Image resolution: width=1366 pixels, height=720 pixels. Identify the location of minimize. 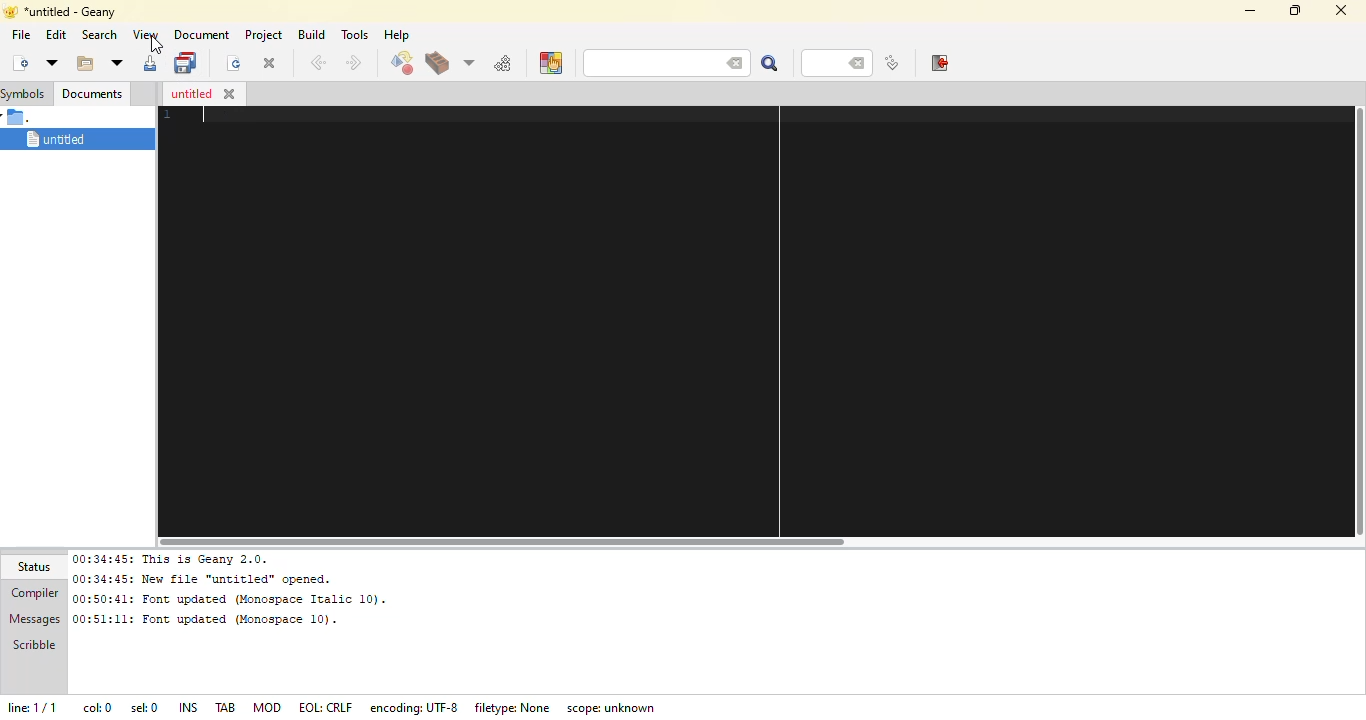
(1247, 10).